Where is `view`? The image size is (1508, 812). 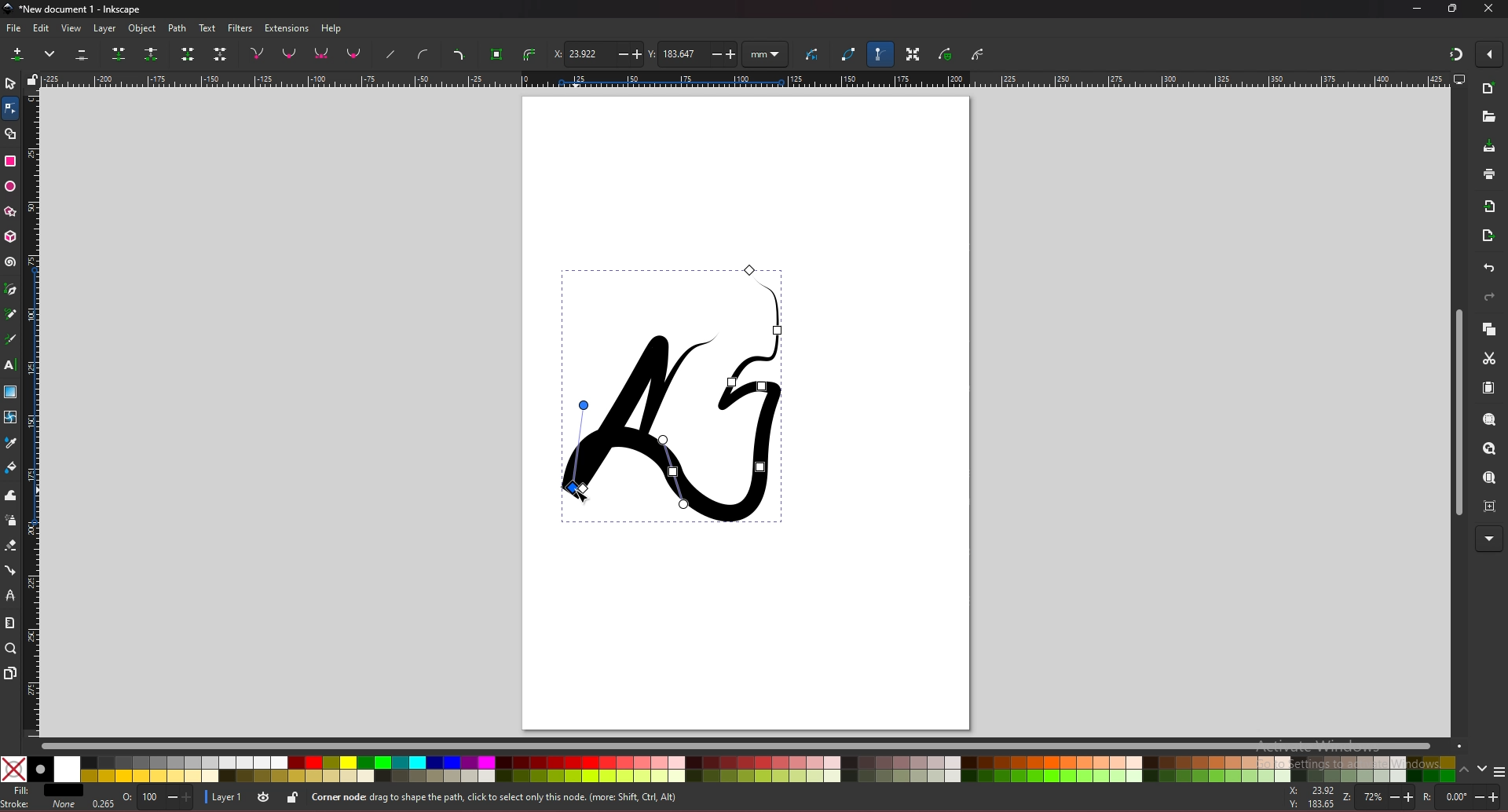 view is located at coordinates (71, 28).